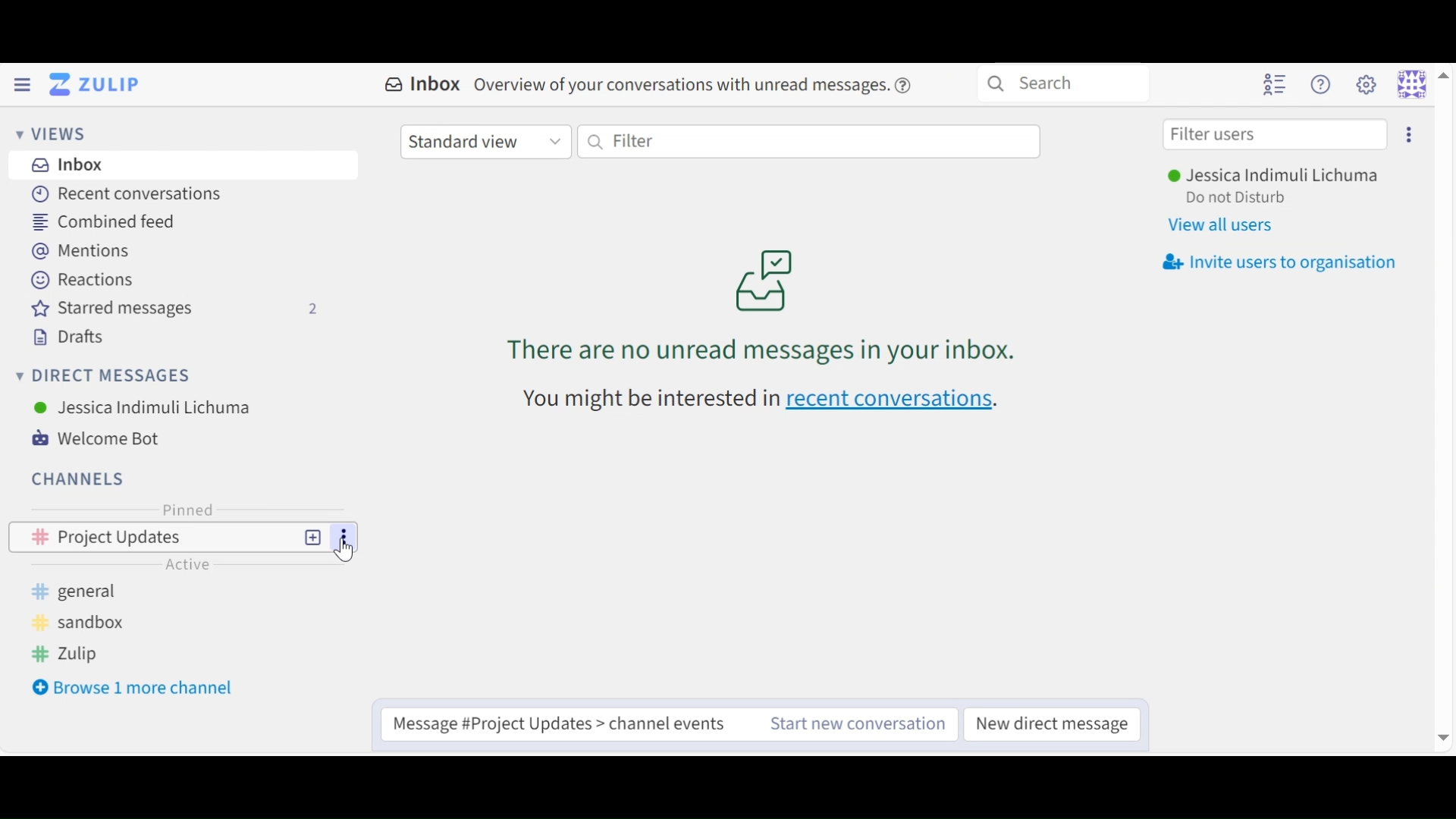 The image size is (1456, 819). I want to click on Inbox, so click(72, 165).